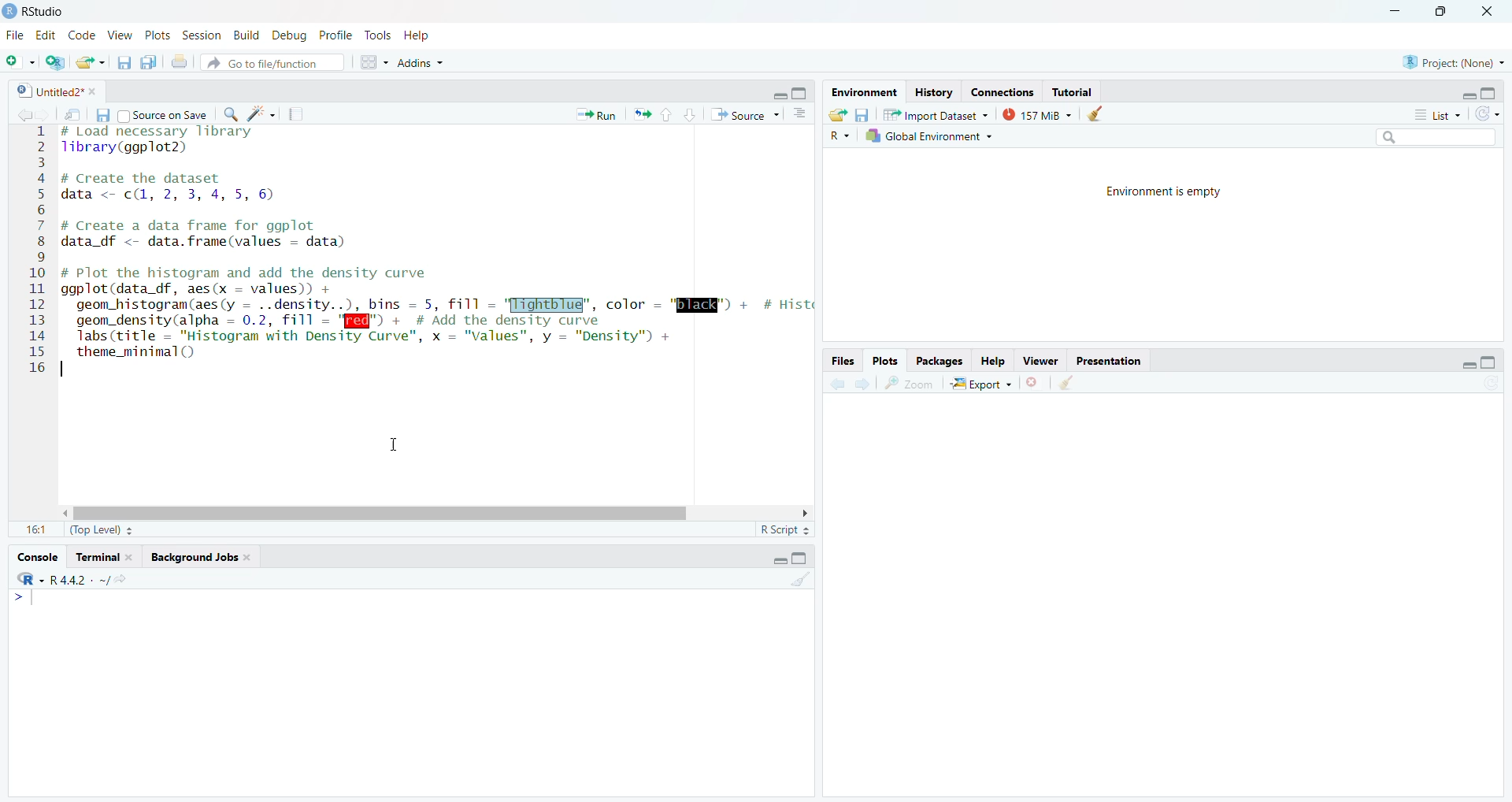 The image size is (1512, 802). Describe the element at coordinates (146, 62) in the screenshot. I see `save all open documents` at that location.